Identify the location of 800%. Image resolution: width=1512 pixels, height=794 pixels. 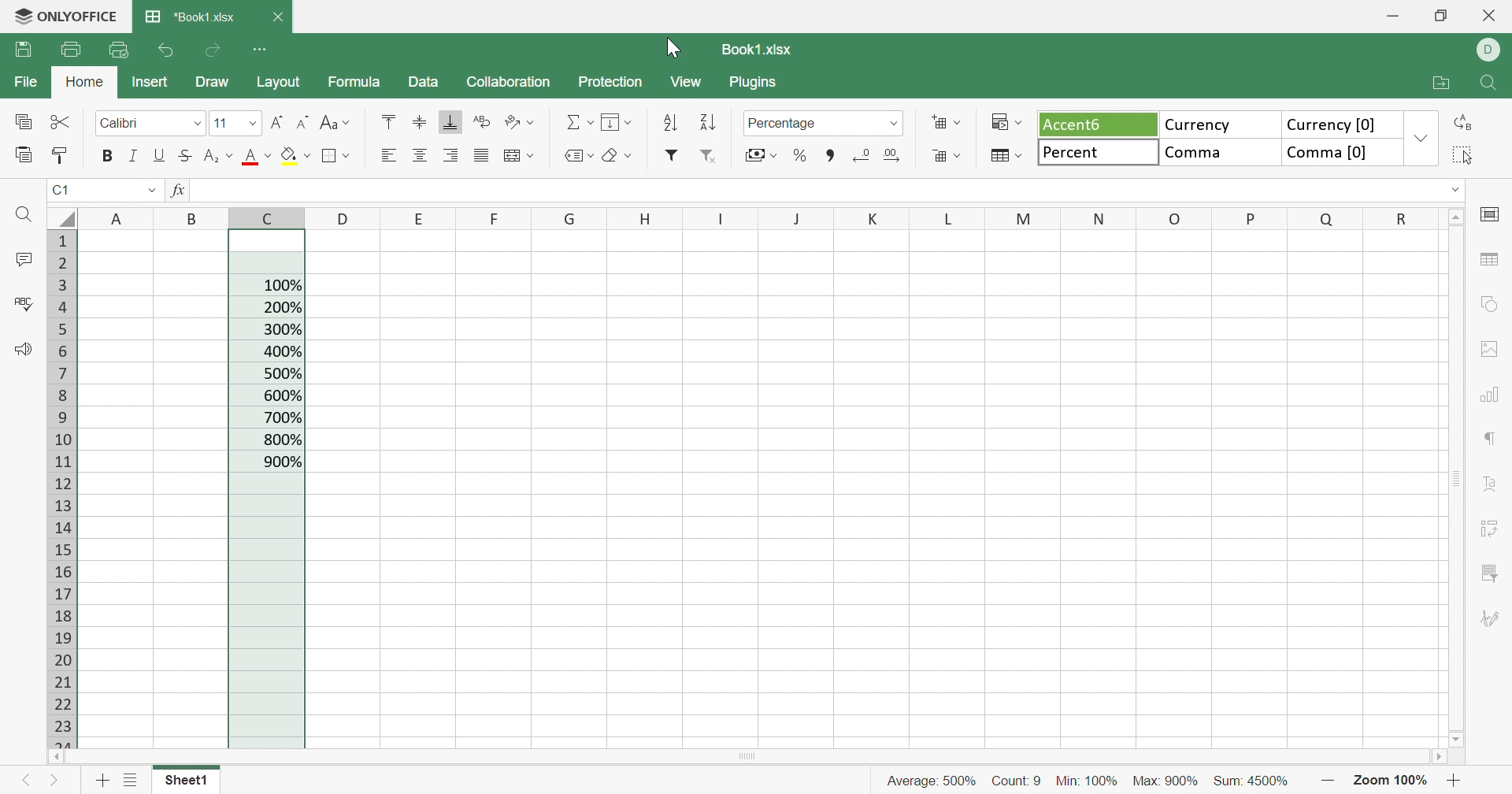
(281, 442).